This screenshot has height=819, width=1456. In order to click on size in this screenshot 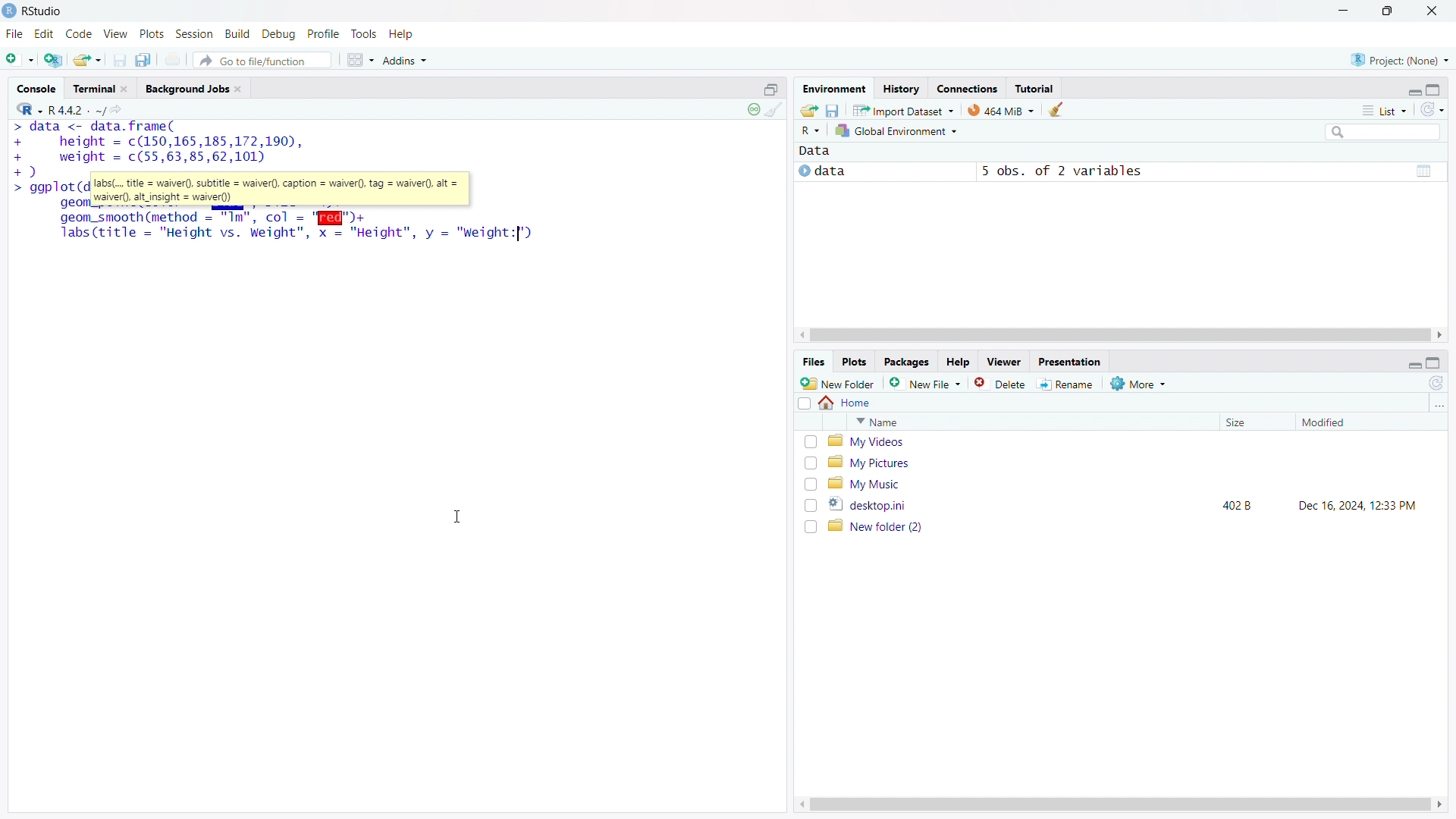, I will do `click(1253, 422)`.